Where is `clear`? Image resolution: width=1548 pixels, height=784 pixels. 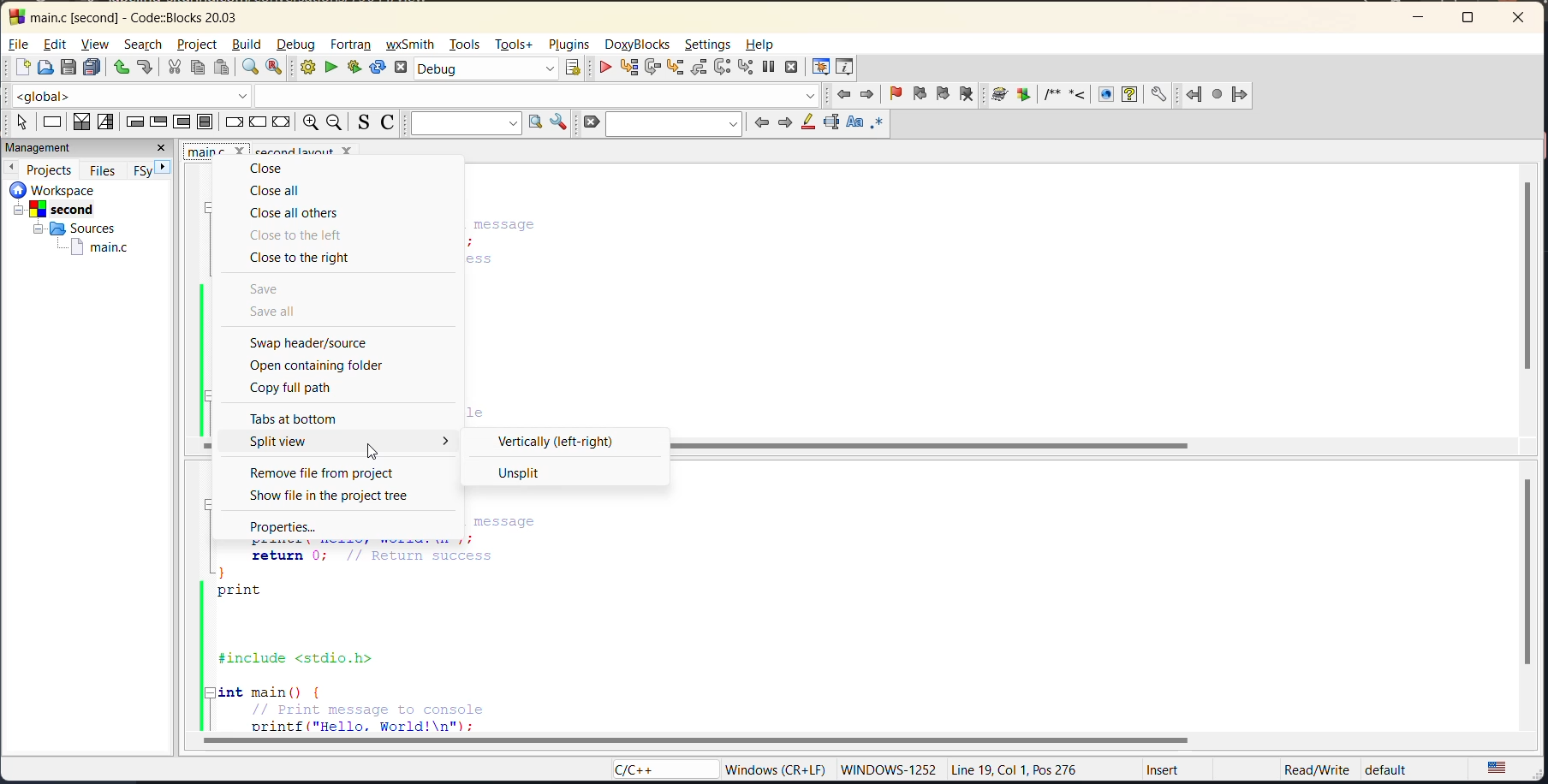 clear is located at coordinates (588, 122).